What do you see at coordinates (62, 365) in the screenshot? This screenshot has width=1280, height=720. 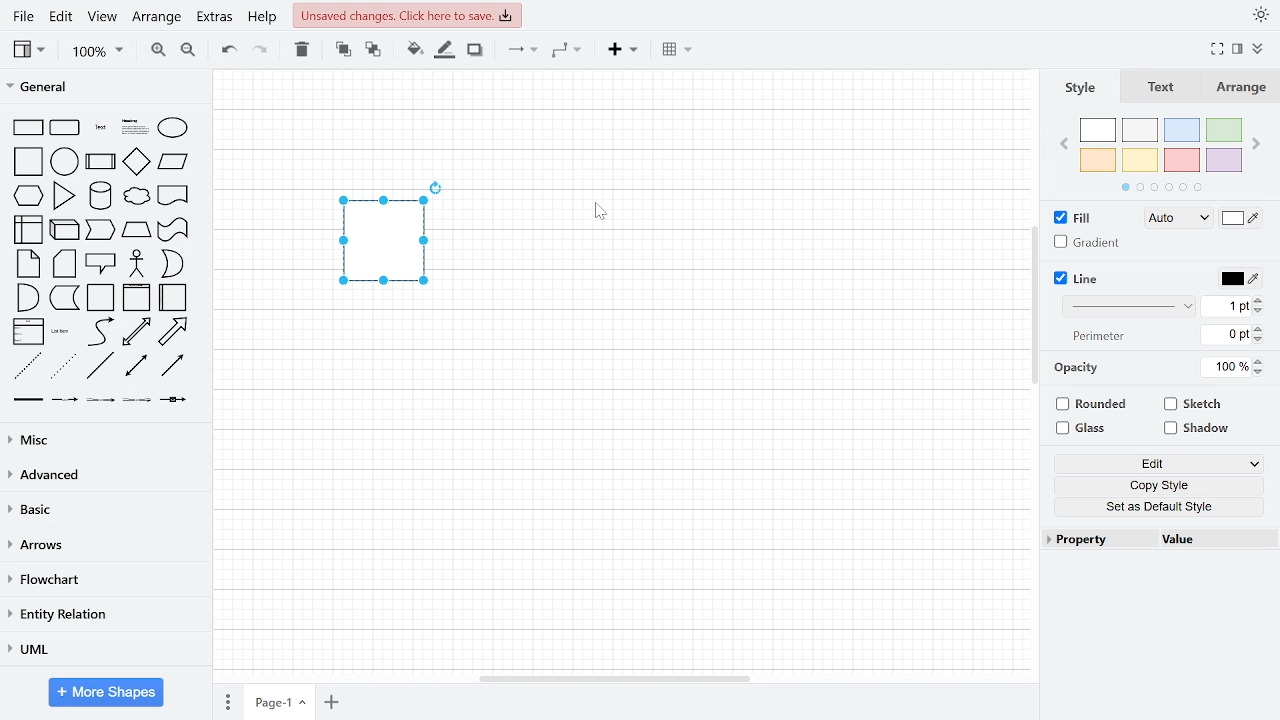 I see `dotted line` at bounding box center [62, 365].